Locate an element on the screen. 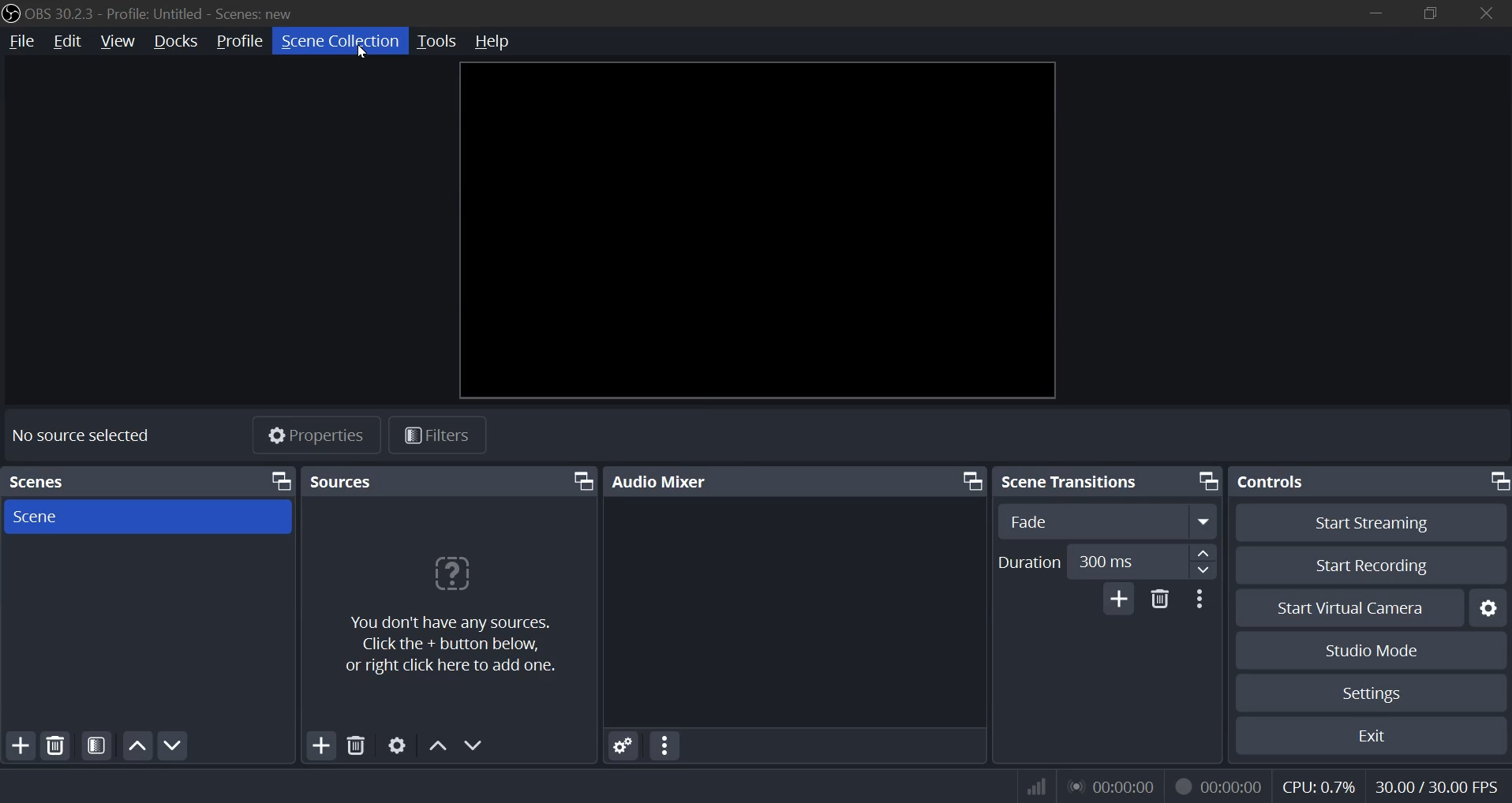 The height and width of the screenshot is (803, 1512). settings is located at coordinates (1491, 607).